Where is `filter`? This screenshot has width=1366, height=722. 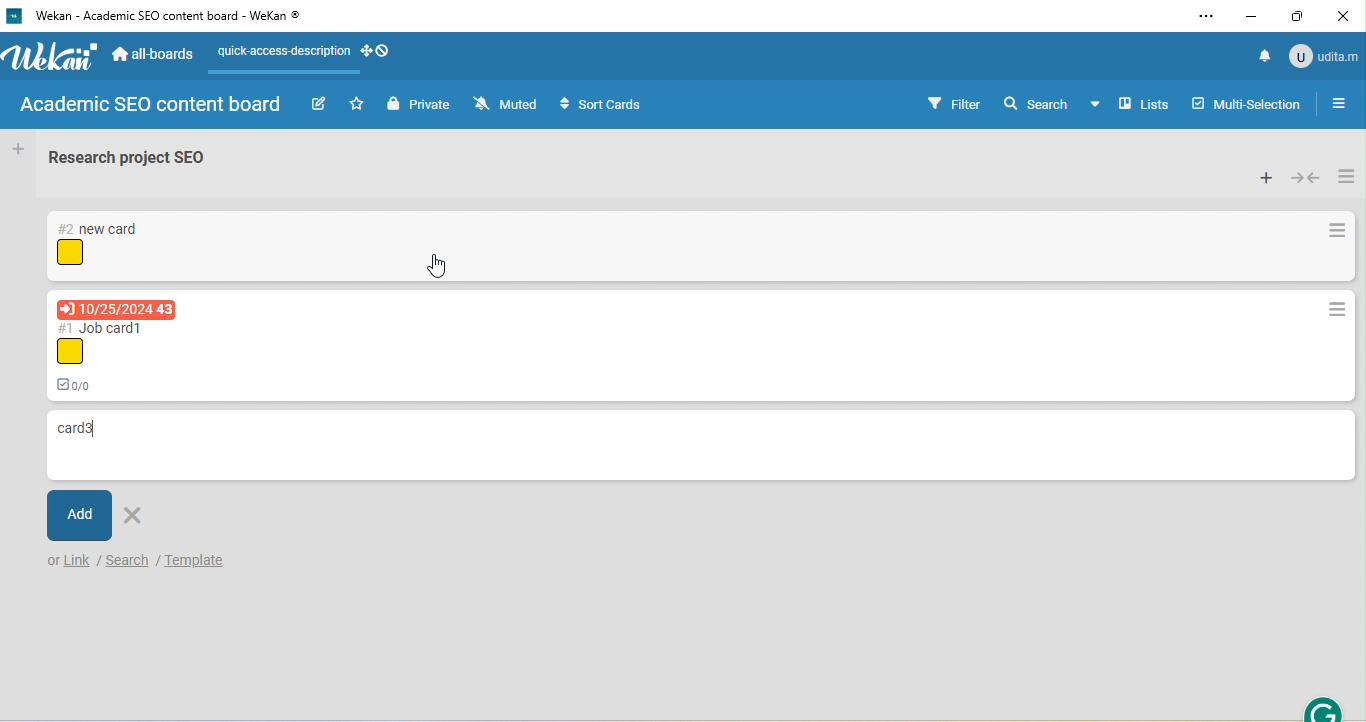 filter is located at coordinates (954, 103).